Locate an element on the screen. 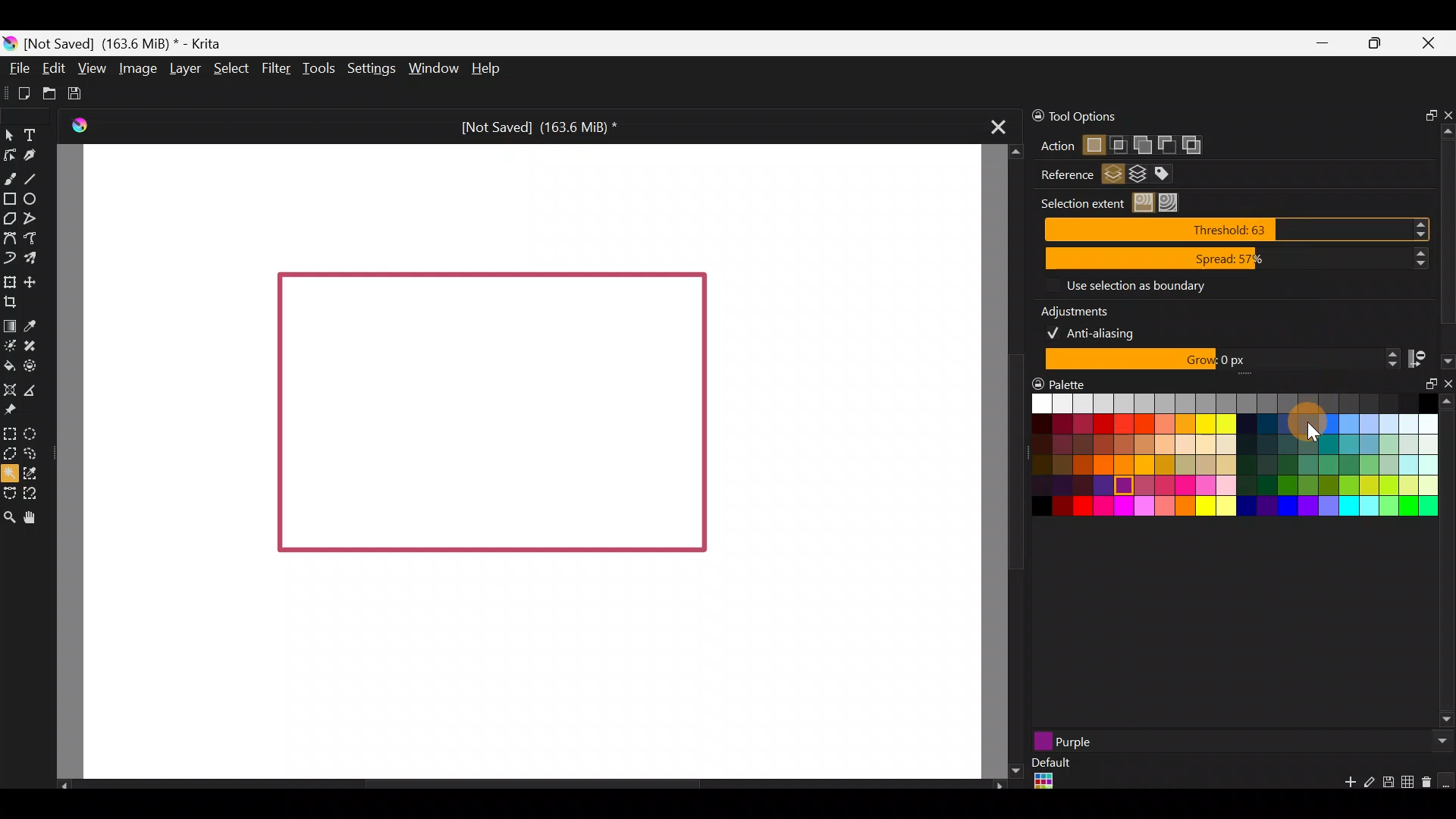 The height and width of the screenshot is (819, 1456). Lock the current palette is located at coordinates (1447, 781).